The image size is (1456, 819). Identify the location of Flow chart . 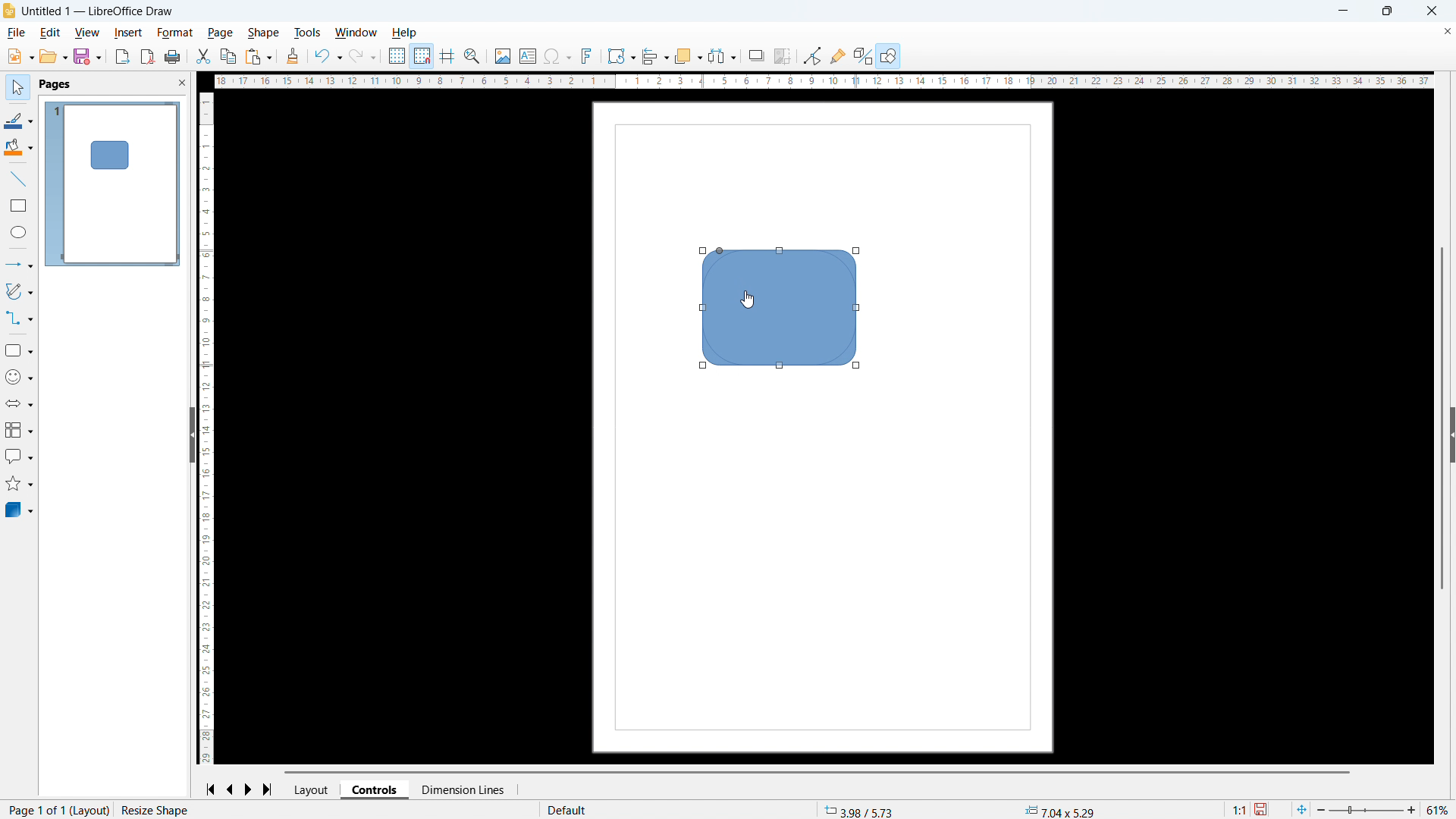
(18, 431).